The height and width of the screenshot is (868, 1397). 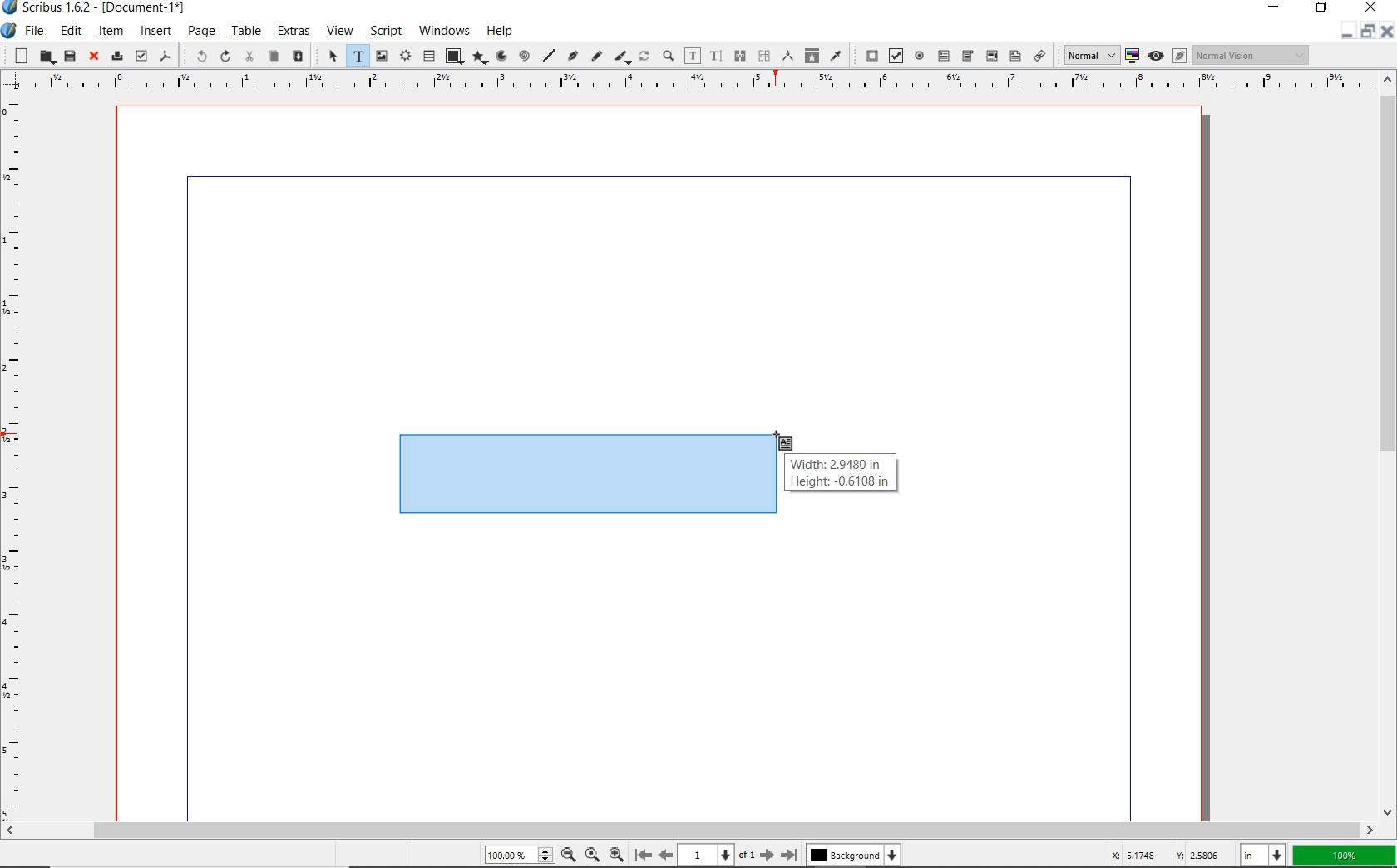 I want to click on insert, so click(x=155, y=32).